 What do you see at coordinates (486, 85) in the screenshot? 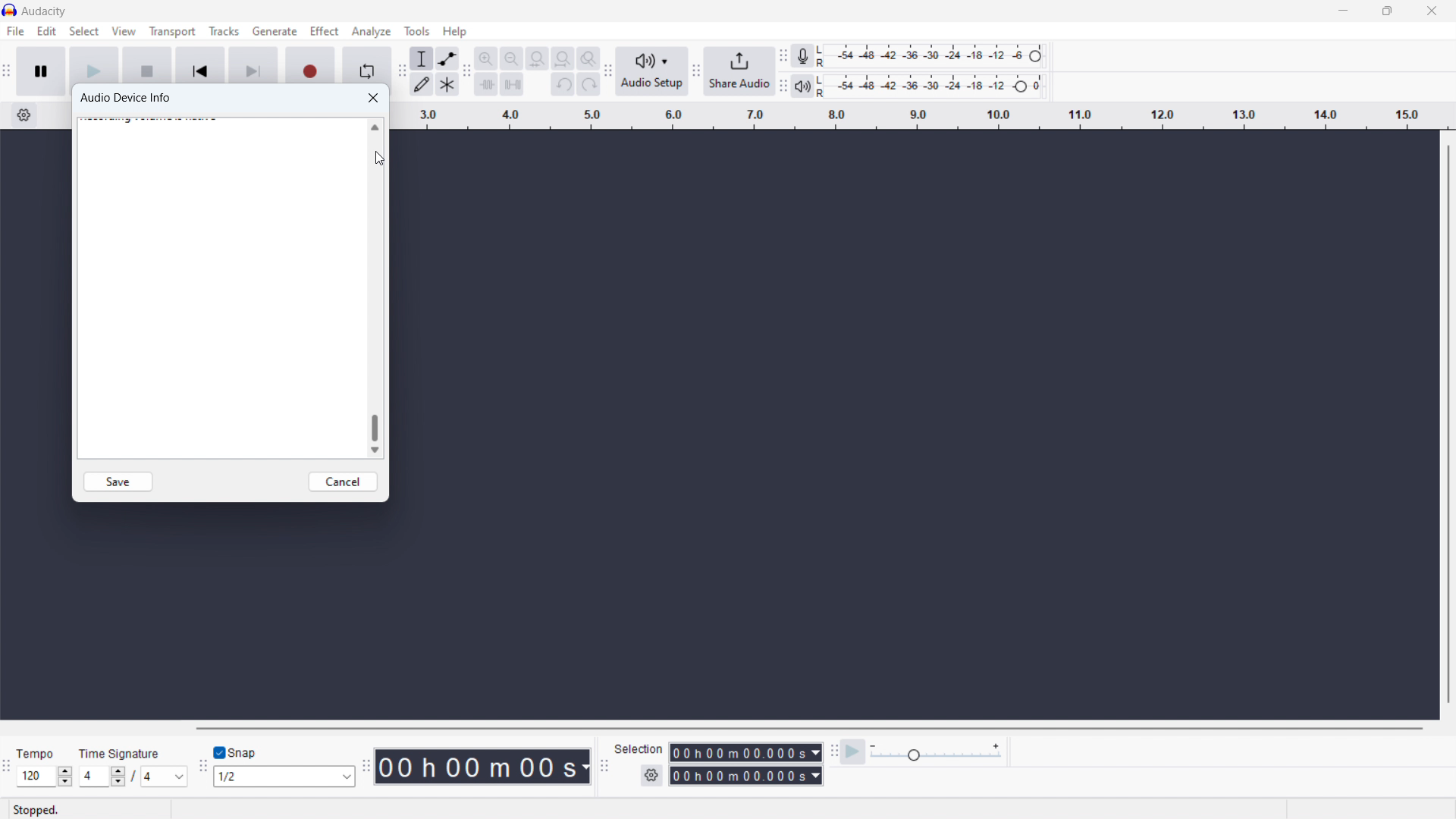
I see `trim audioo outside selection` at bounding box center [486, 85].